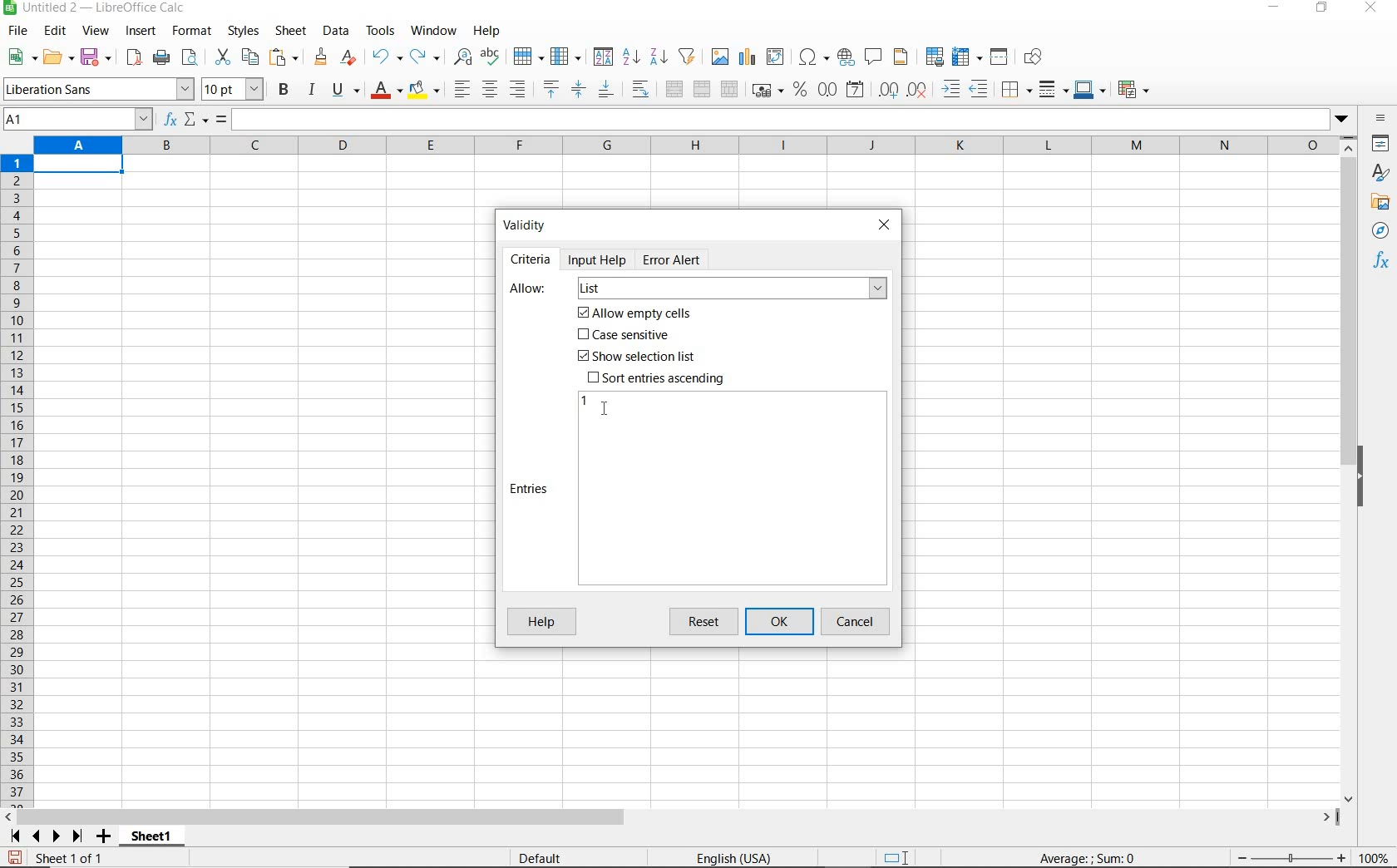  Describe the element at coordinates (388, 90) in the screenshot. I see `font color` at that location.